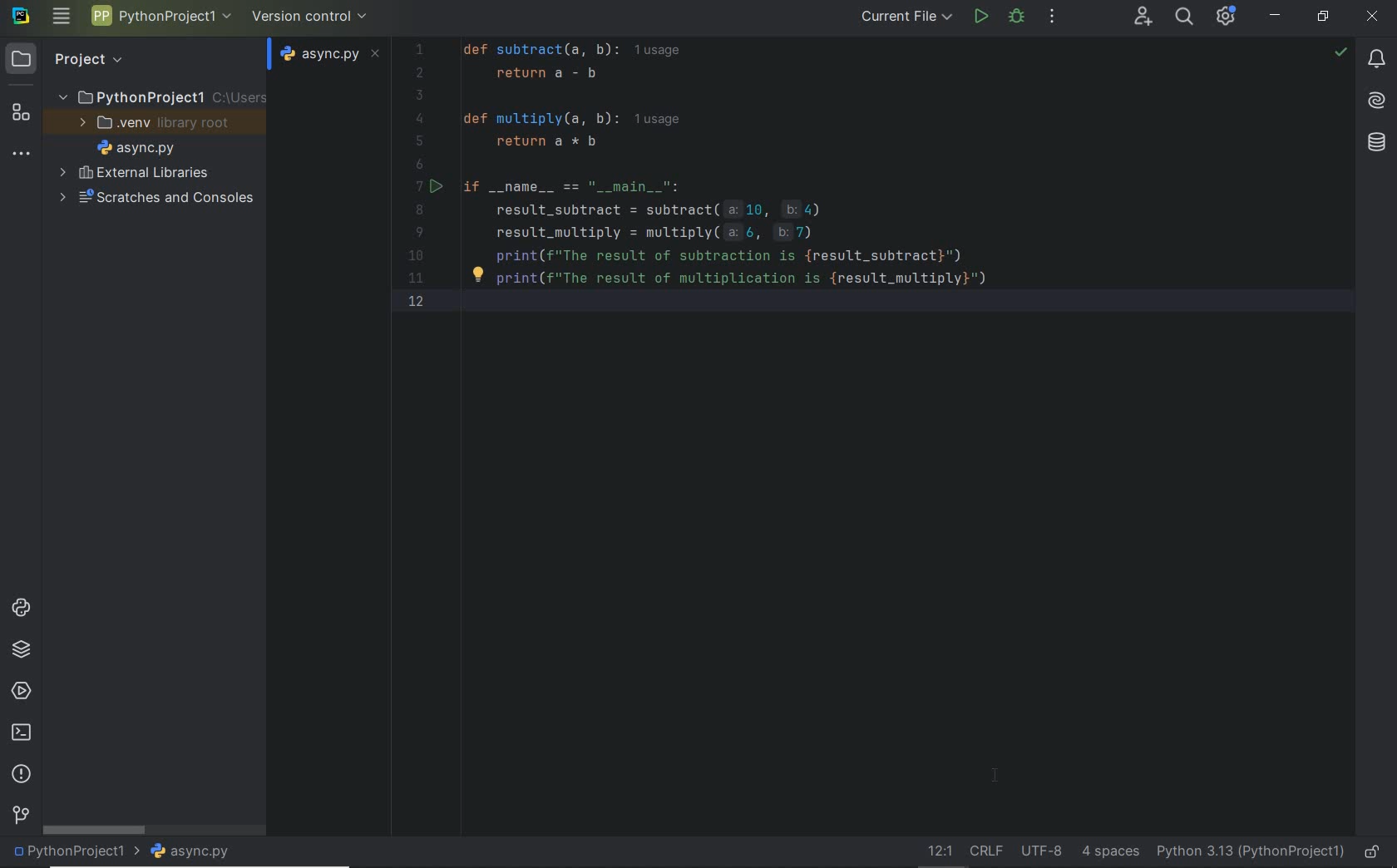  I want to click on structure, so click(20, 116).